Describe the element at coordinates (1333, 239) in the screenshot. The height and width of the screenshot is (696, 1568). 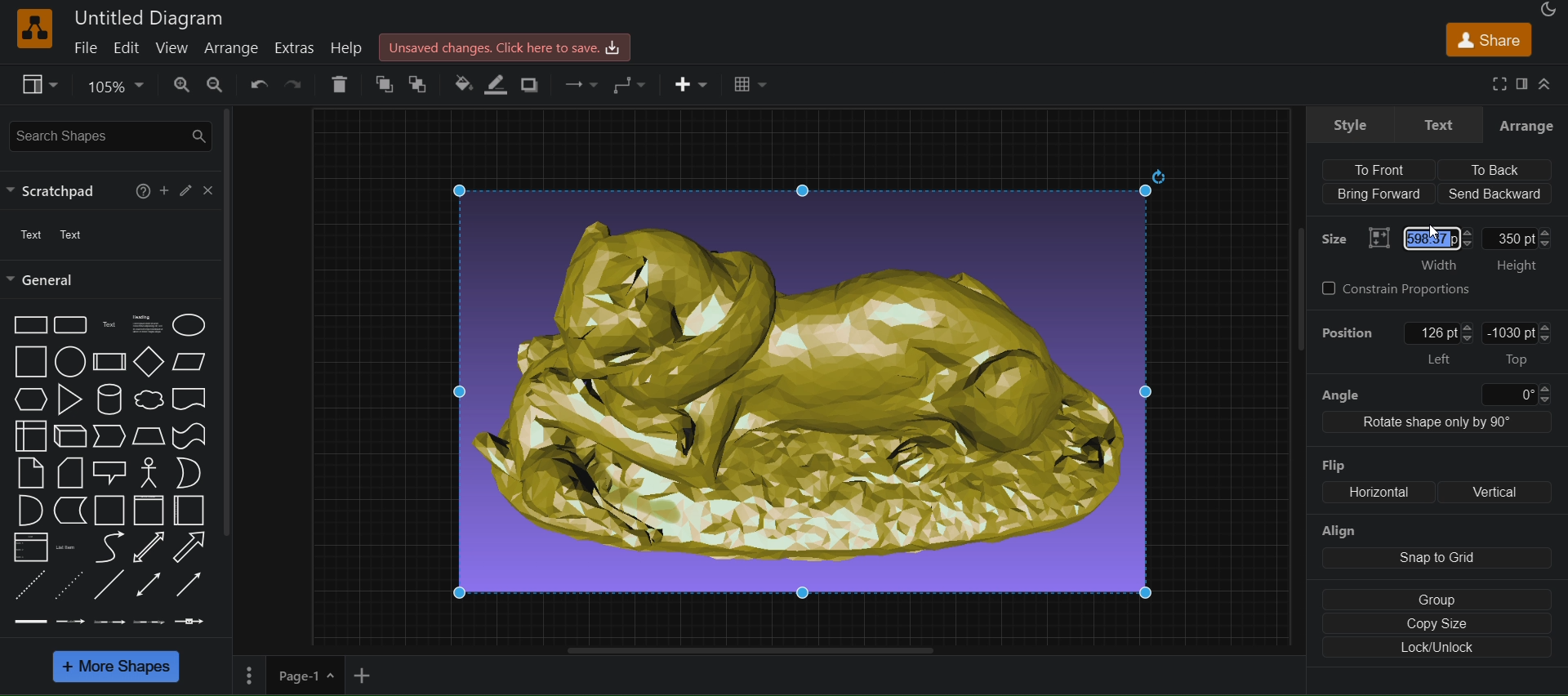
I see `Size` at that location.